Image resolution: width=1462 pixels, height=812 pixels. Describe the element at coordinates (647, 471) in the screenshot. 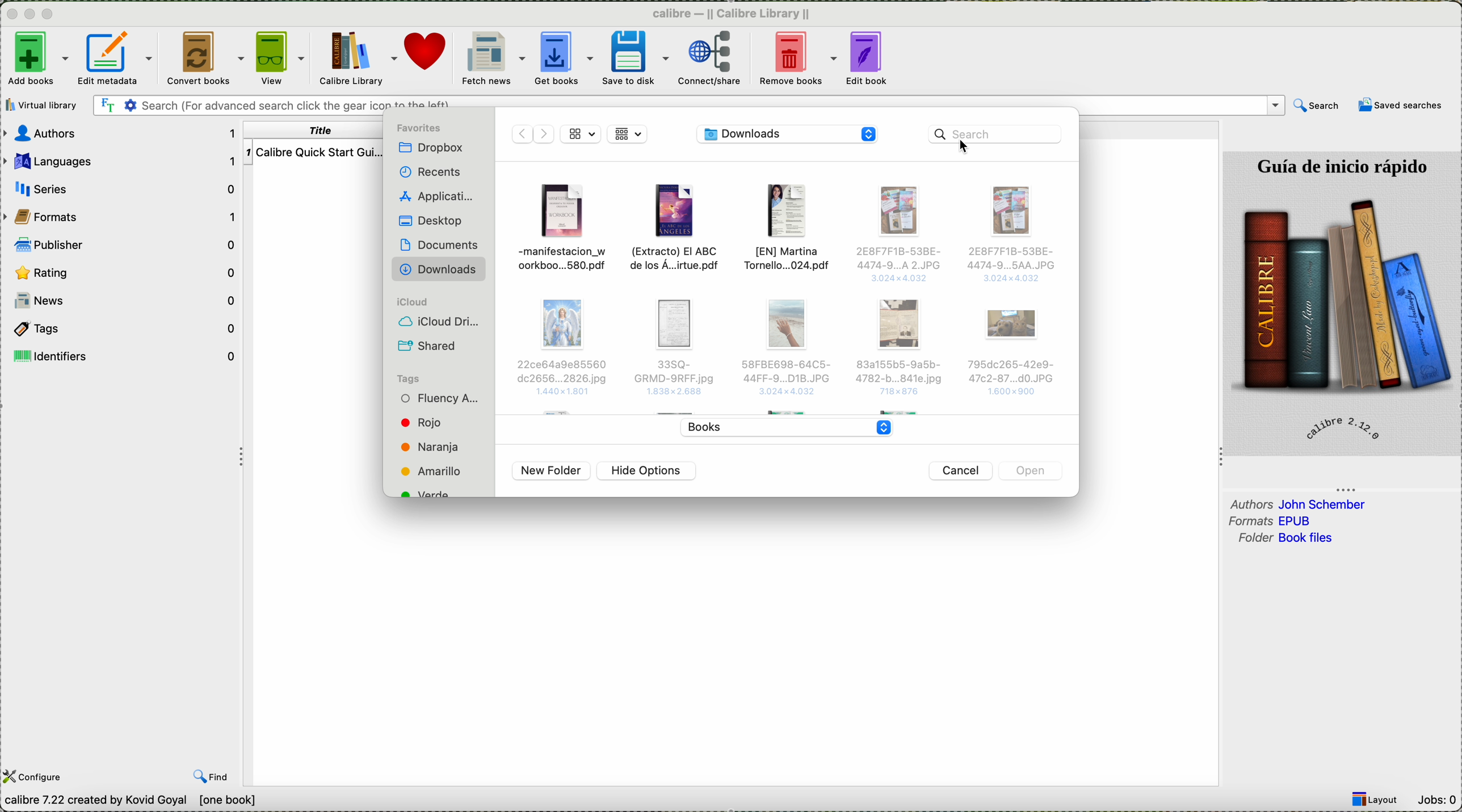

I see `hide options` at that location.